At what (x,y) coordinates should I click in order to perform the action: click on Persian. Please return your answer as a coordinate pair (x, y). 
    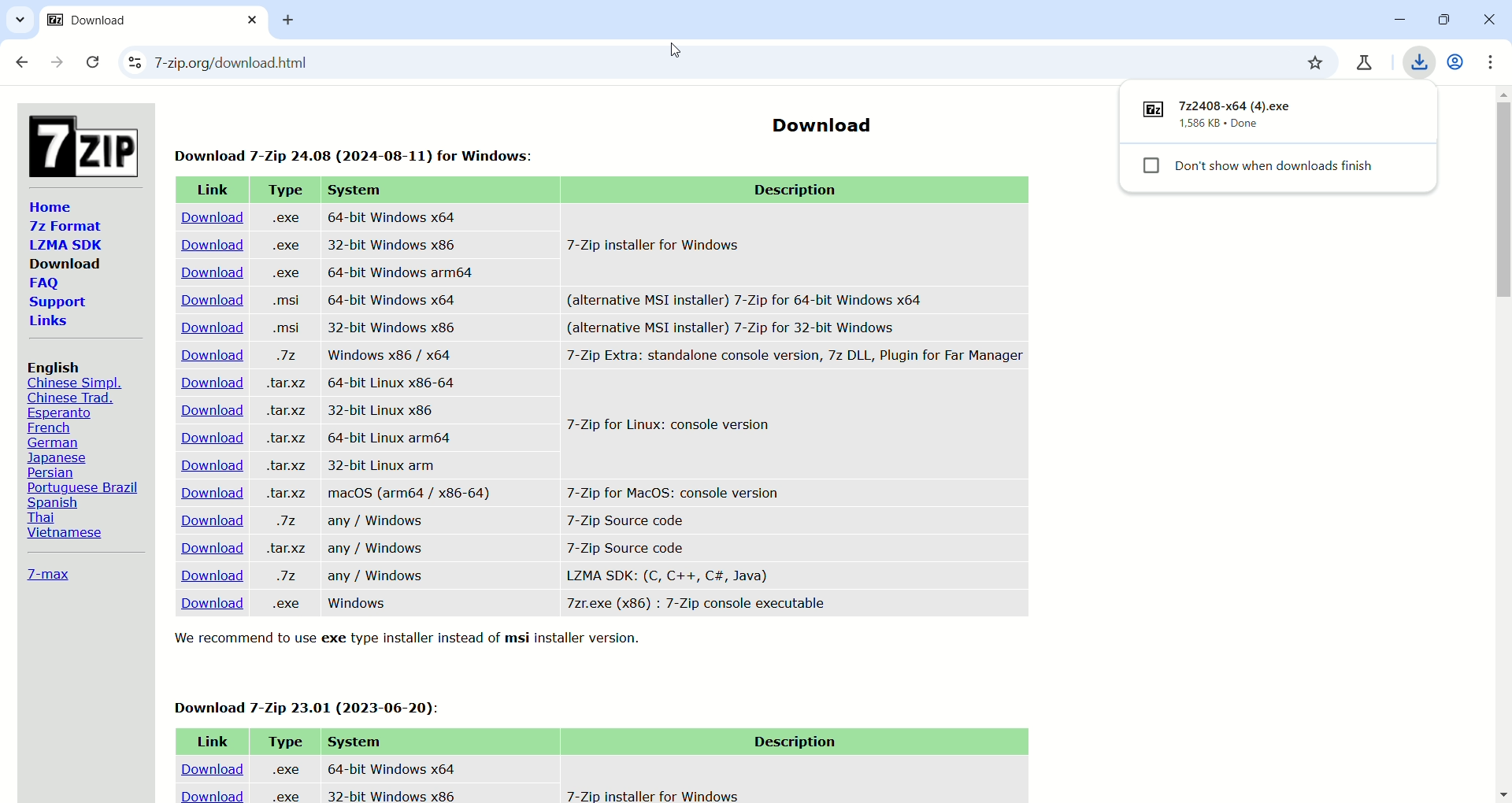
    Looking at the image, I should click on (55, 472).